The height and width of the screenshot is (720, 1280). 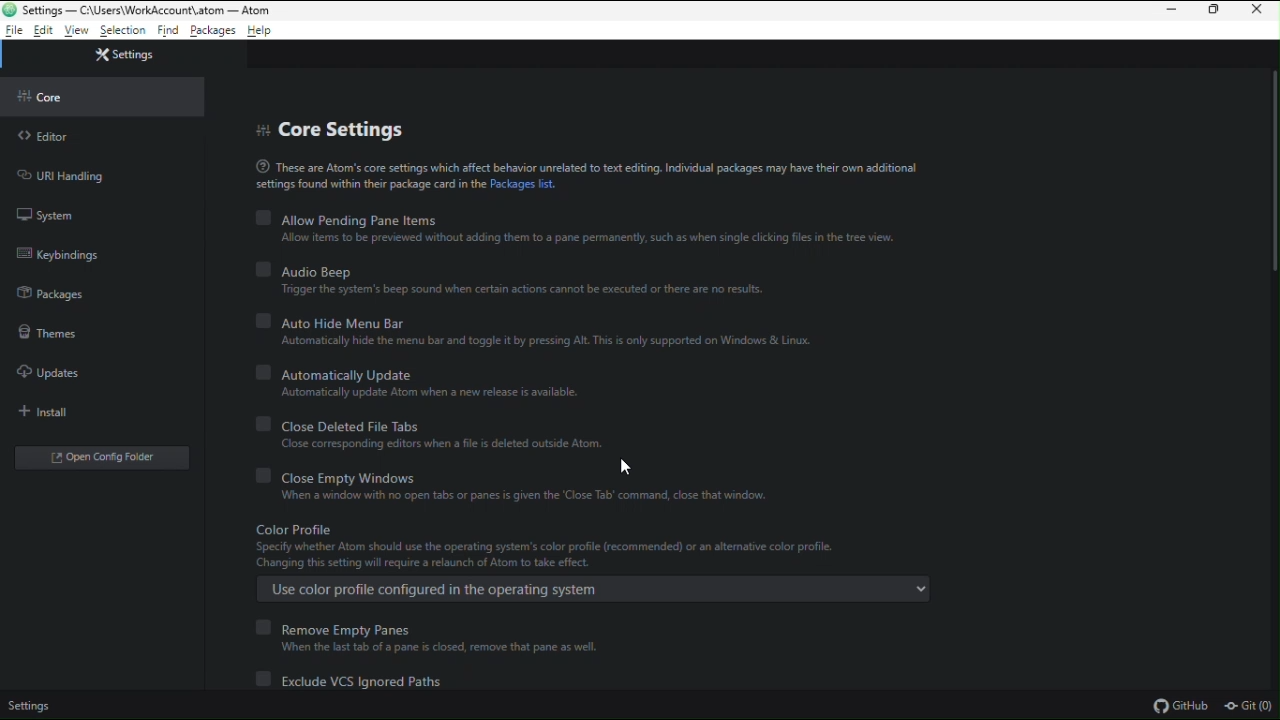 What do you see at coordinates (267, 30) in the screenshot?
I see `Help ` at bounding box center [267, 30].